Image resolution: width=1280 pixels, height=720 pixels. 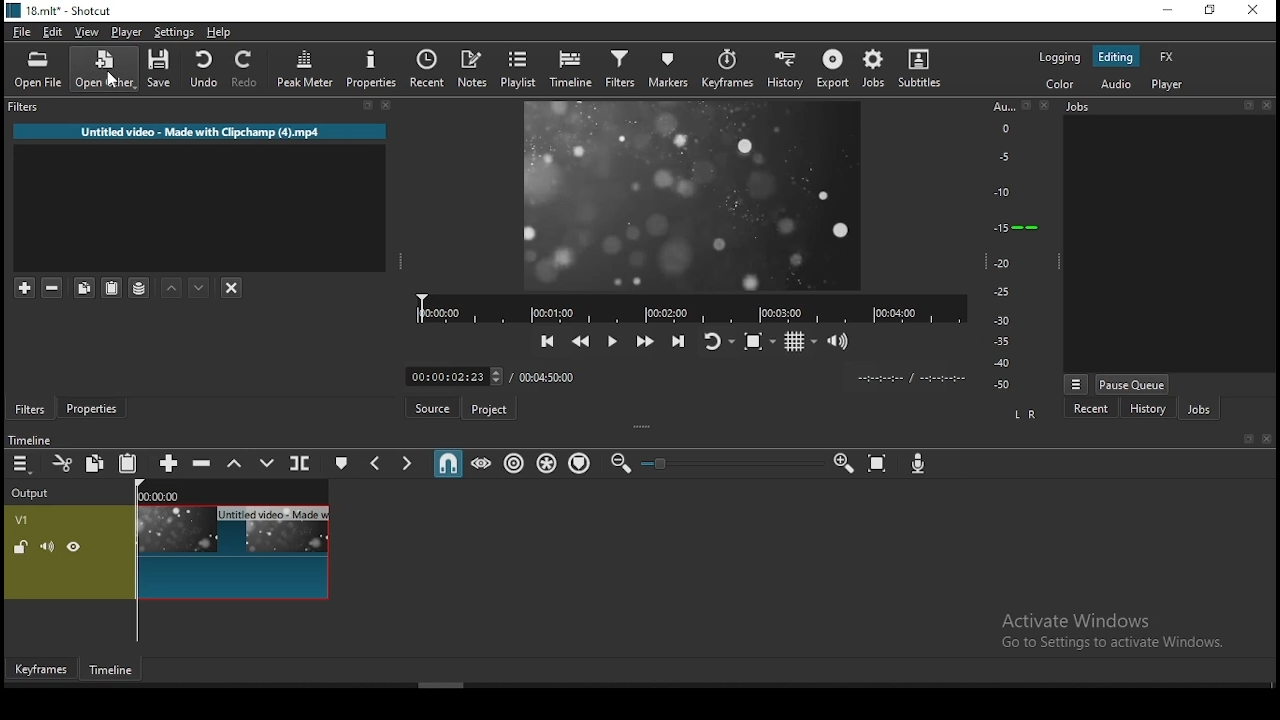 What do you see at coordinates (919, 466) in the screenshot?
I see `record audio` at bounding box center [919, 466].